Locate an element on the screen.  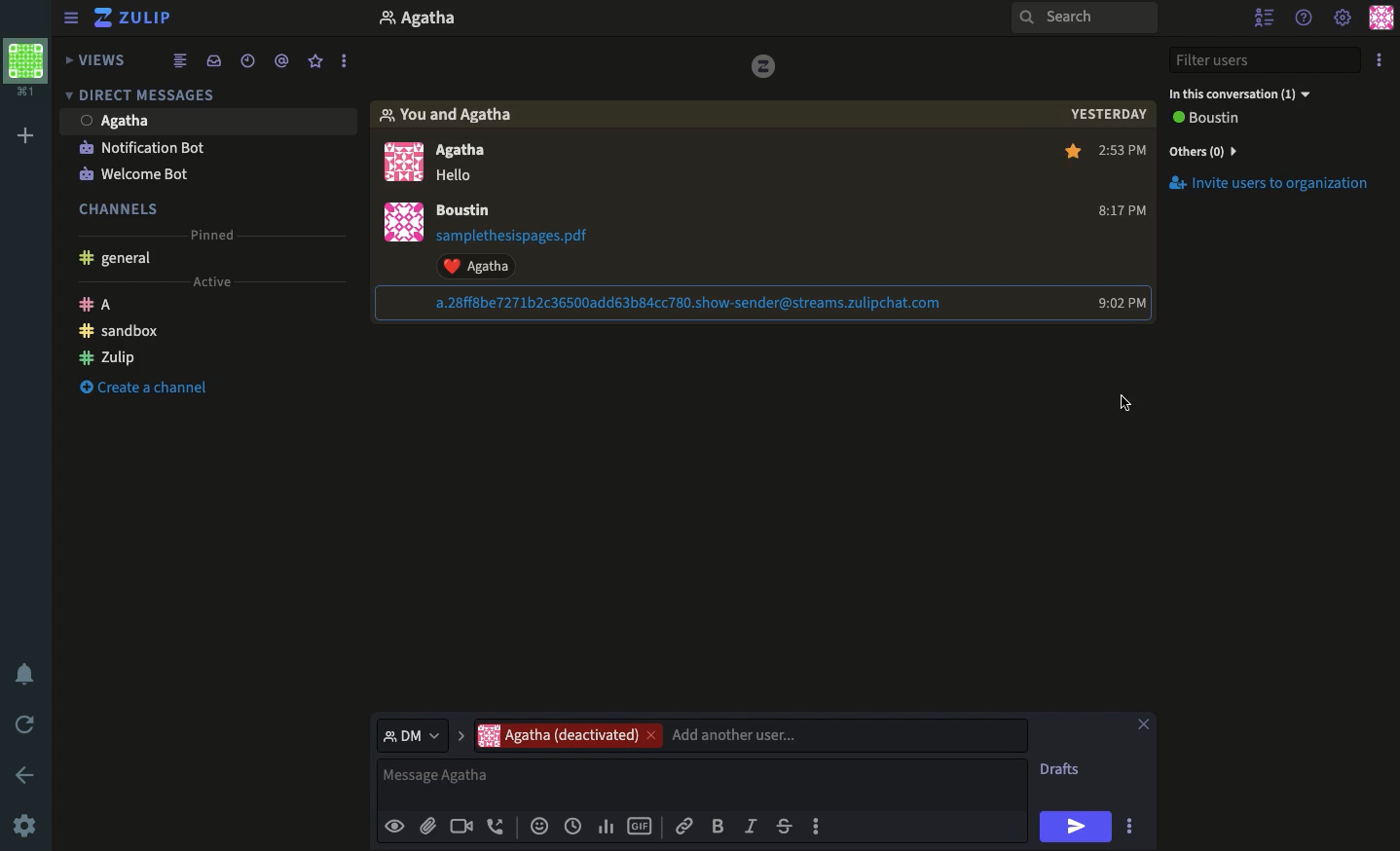
Invite users to organization is located at coordinates (1271, 184).